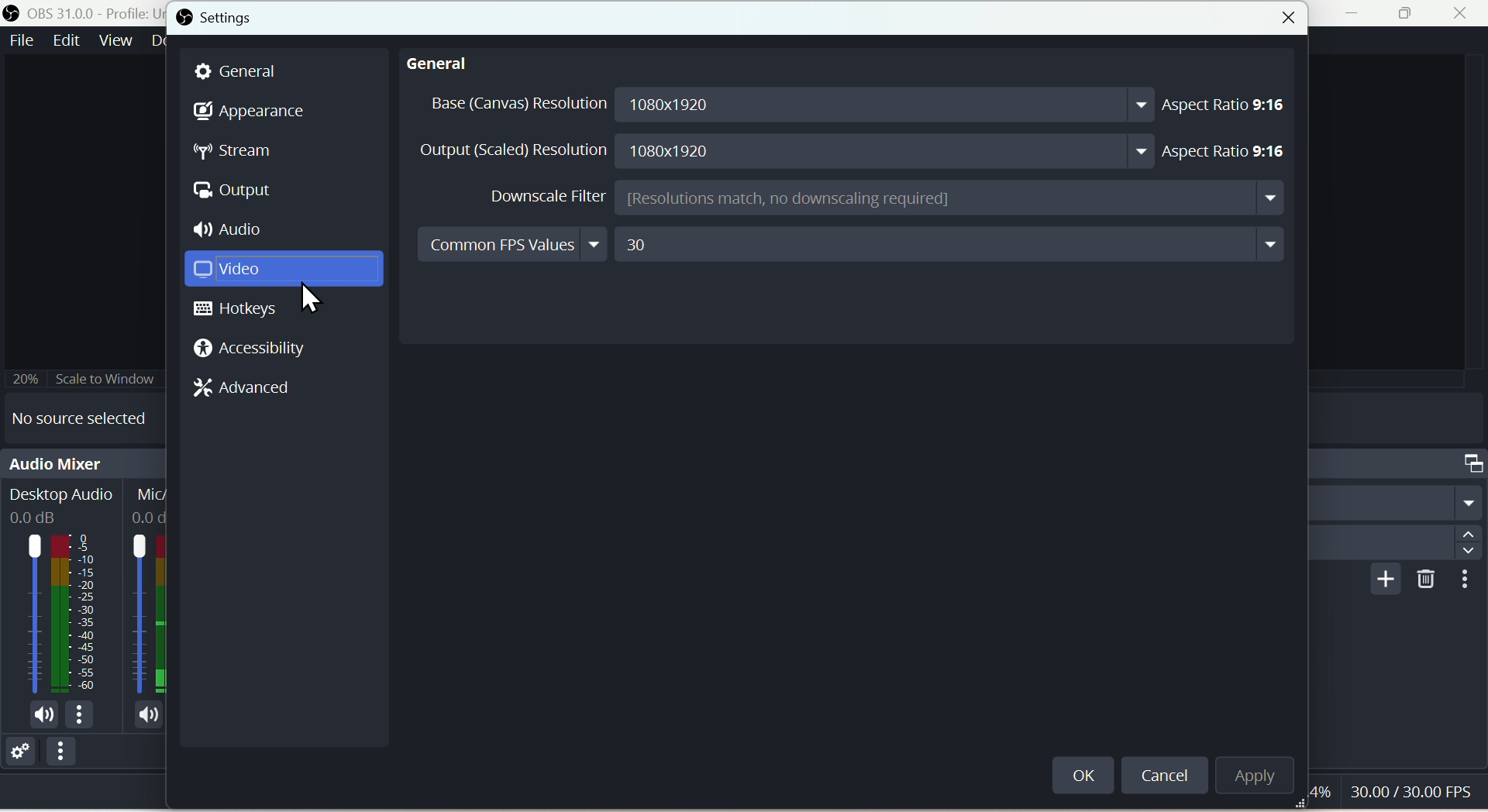 This screenshot has height=812, width=1488. Describe the element at coordinates (250, 109) in the screenshot. I see `Appearance` at that location.